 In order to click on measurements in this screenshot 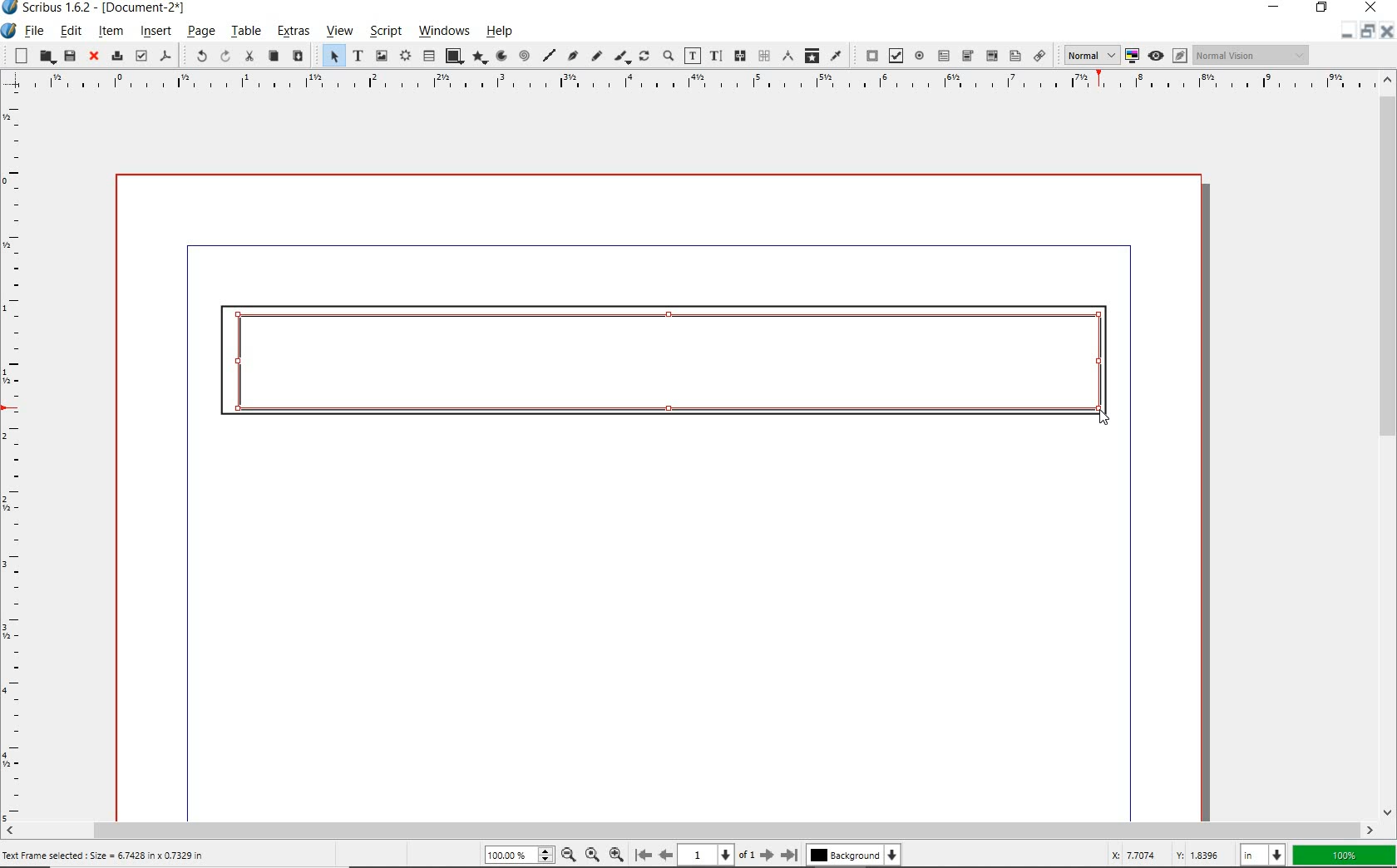, I will do `click(763, 57)`.